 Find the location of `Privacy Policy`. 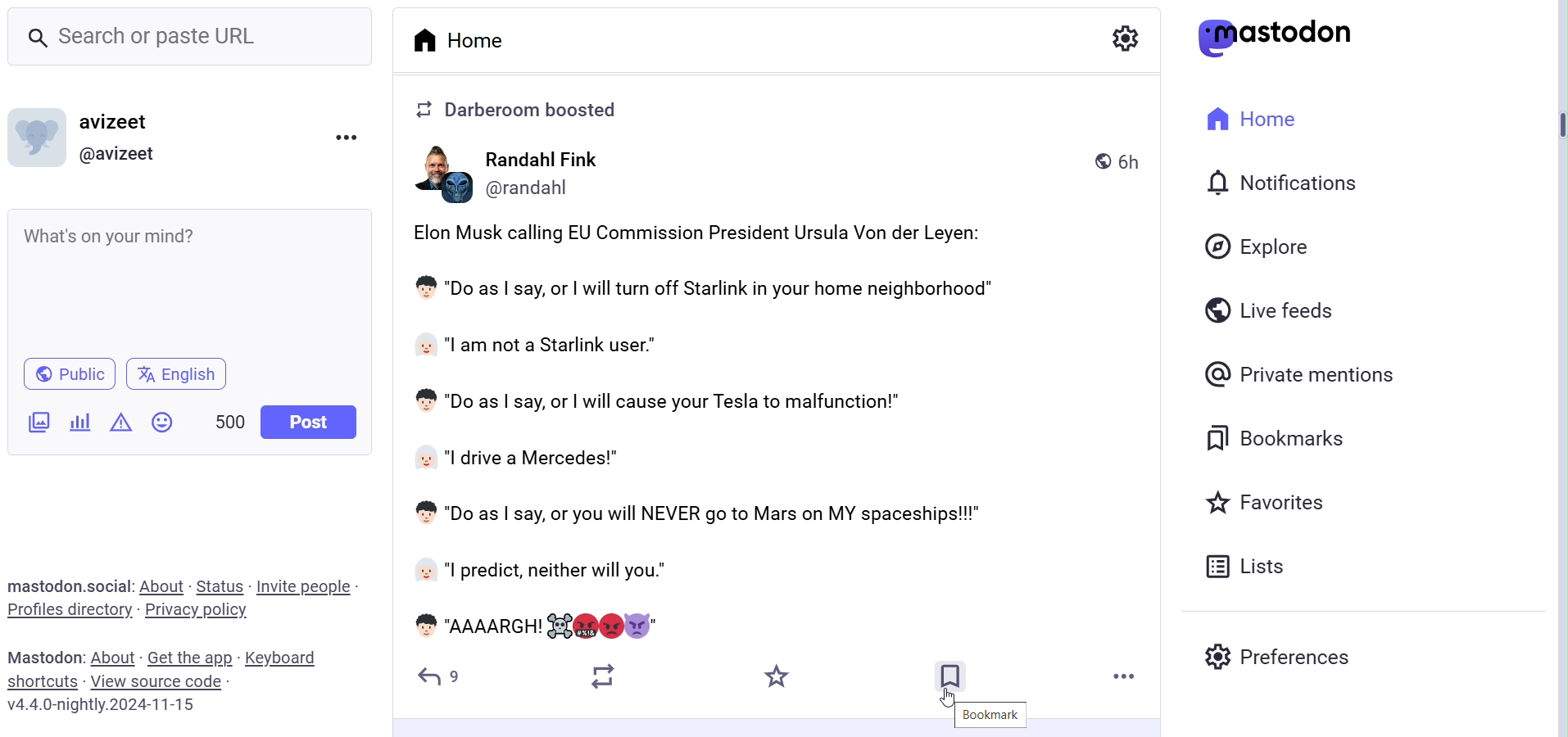

Privacy Policy is located at coordinates (197, 611).